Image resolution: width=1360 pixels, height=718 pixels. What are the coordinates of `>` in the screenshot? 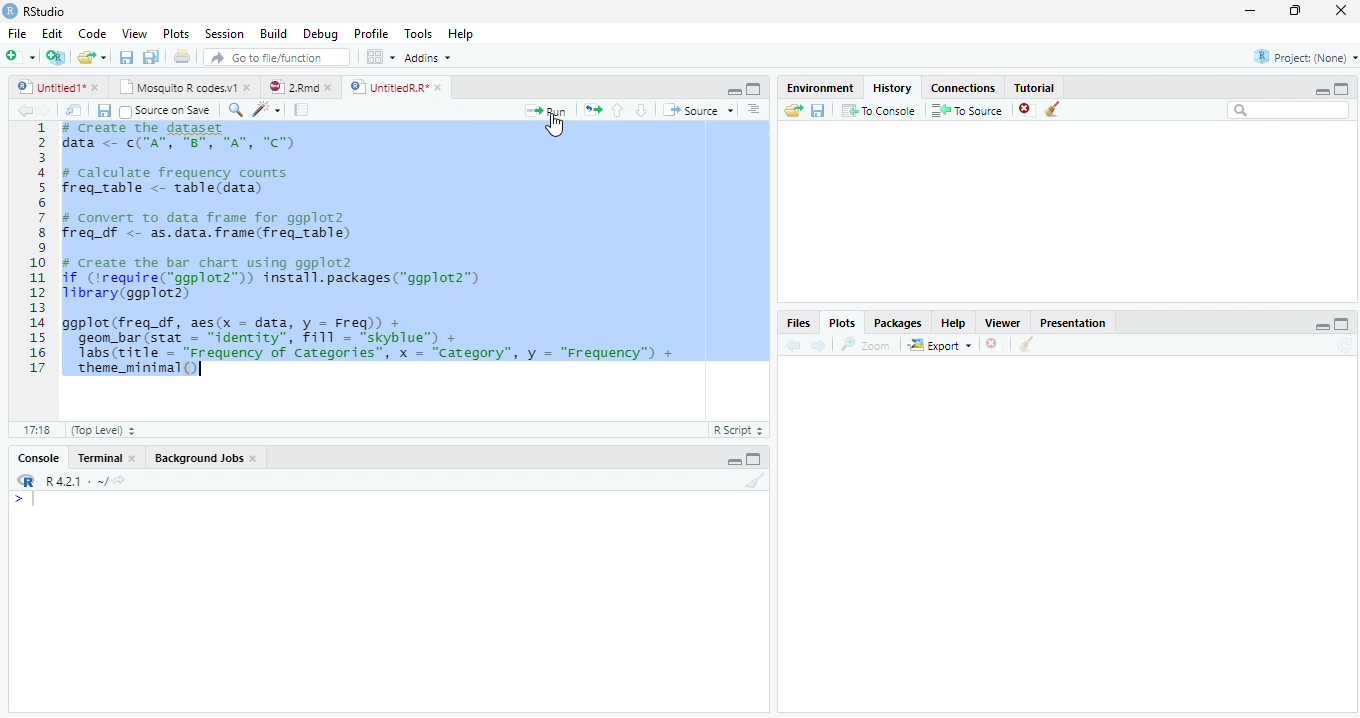 It's located at (13, 498).